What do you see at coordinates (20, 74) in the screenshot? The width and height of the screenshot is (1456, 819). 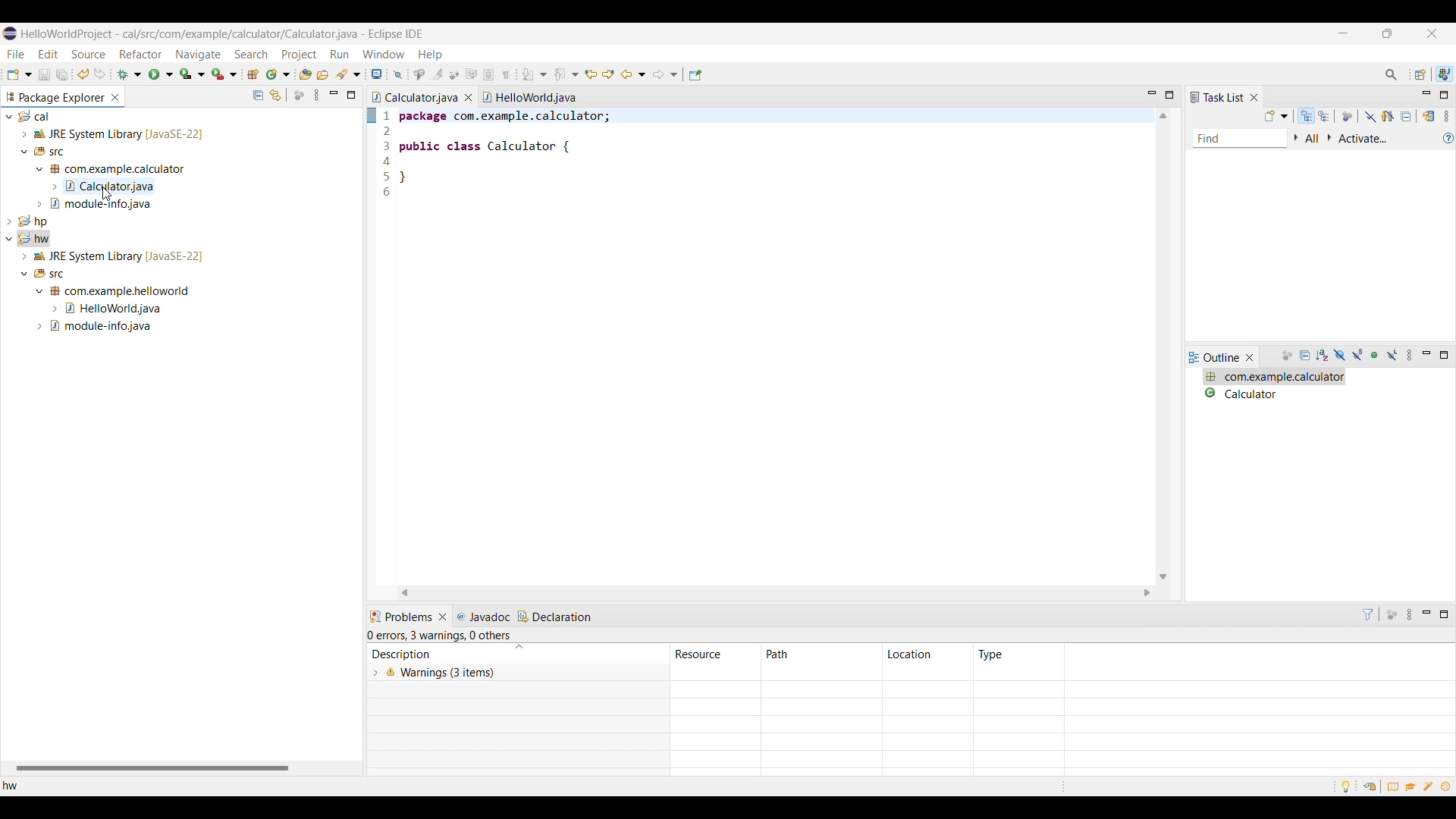 I see `New options` at bounding box center [20, 74].